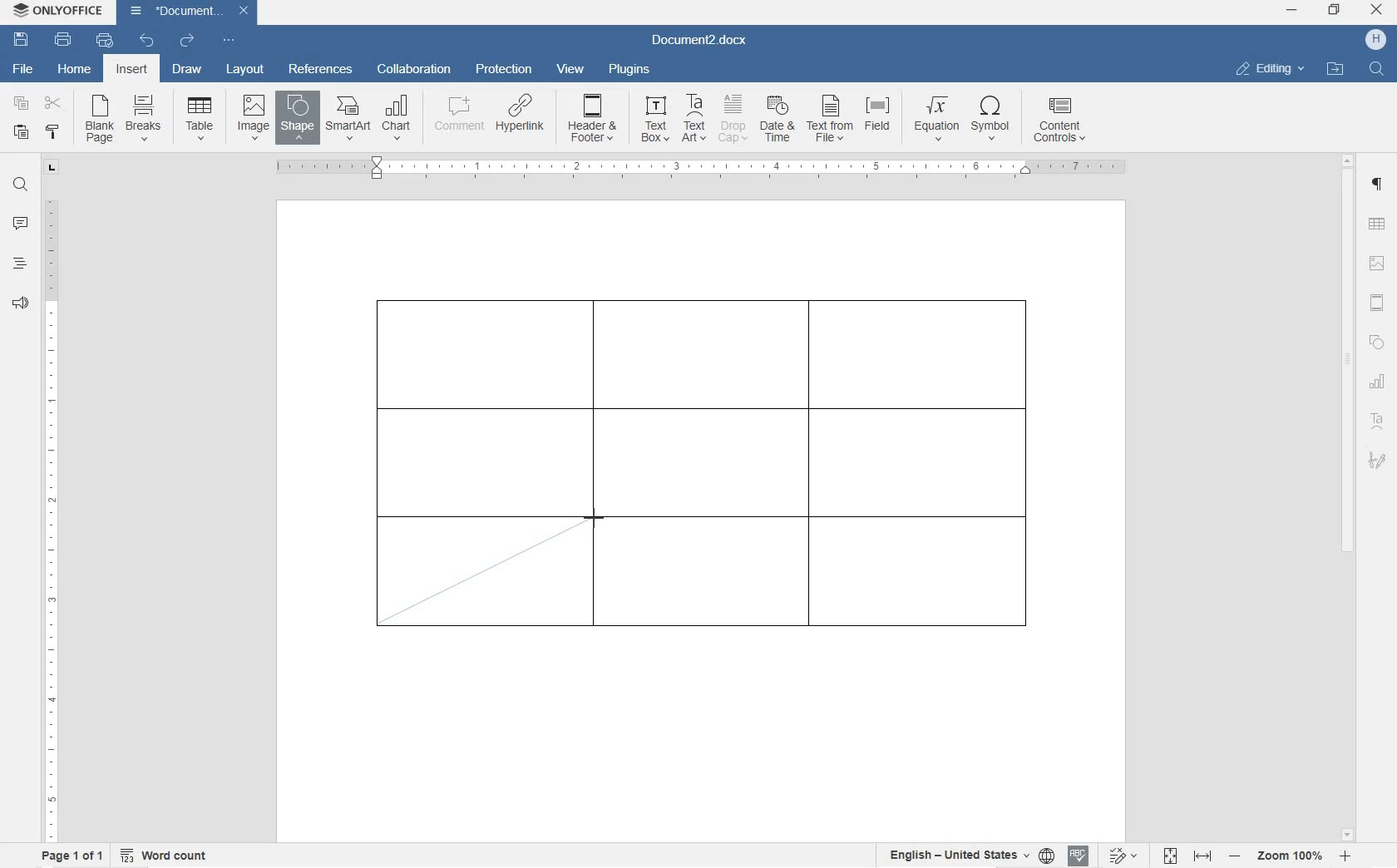 Image resolution: width=1397 pixels, height=868 pixels. I want to click on word count, so click(165, 855).